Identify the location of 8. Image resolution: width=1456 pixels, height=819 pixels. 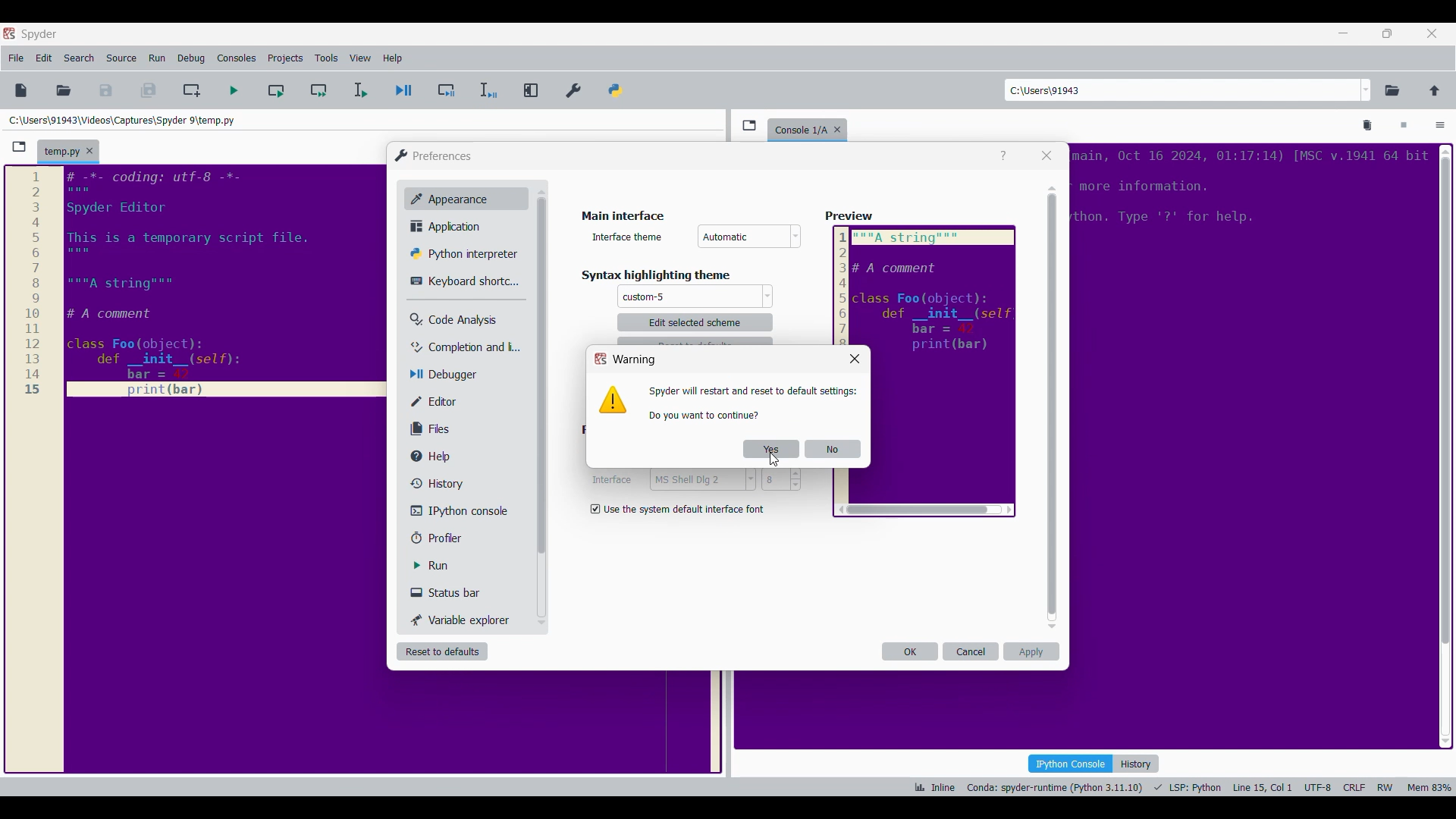
(783, 479).